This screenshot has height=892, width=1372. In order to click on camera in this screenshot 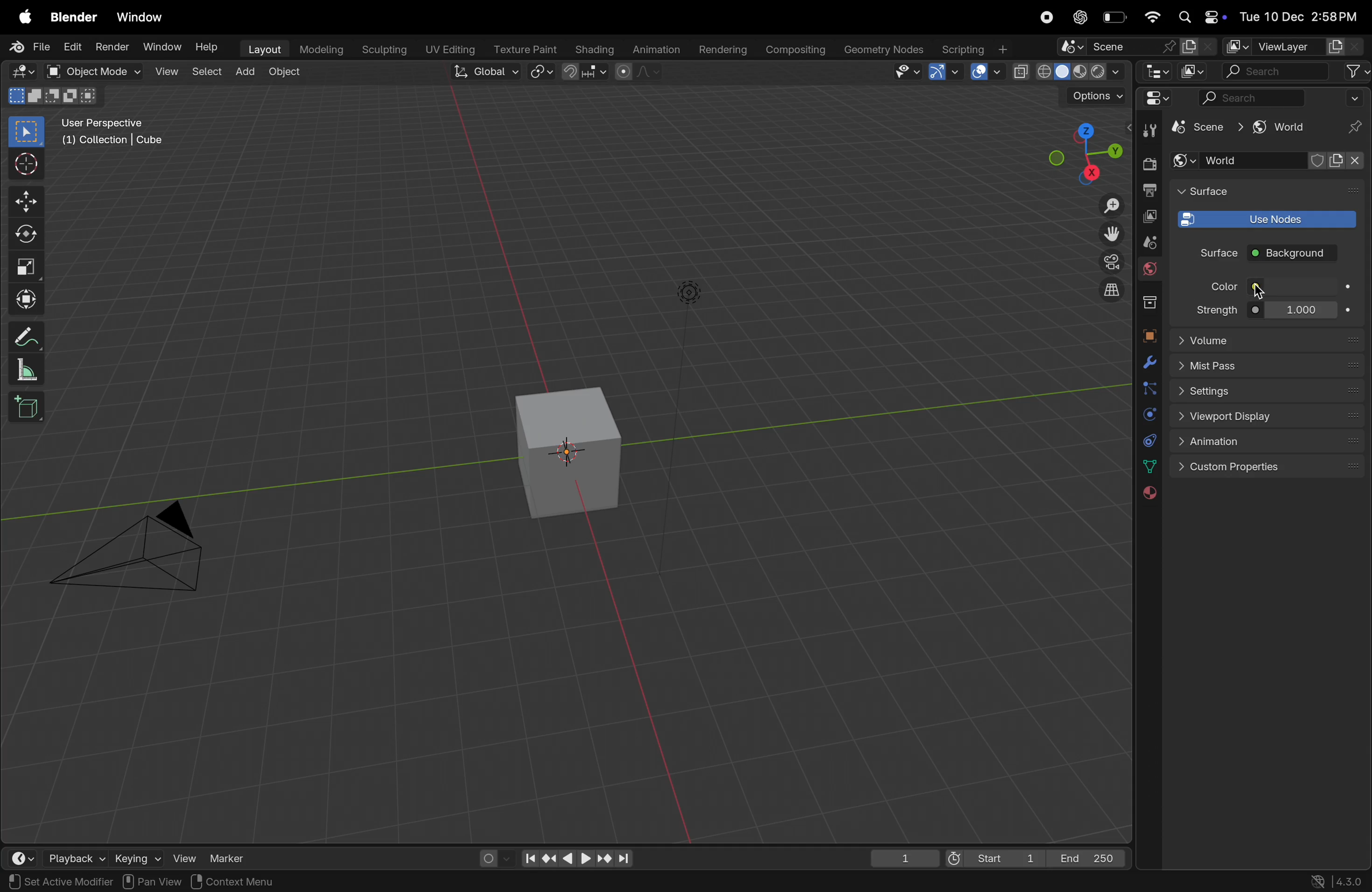, I will do `click(1108, 262)`.